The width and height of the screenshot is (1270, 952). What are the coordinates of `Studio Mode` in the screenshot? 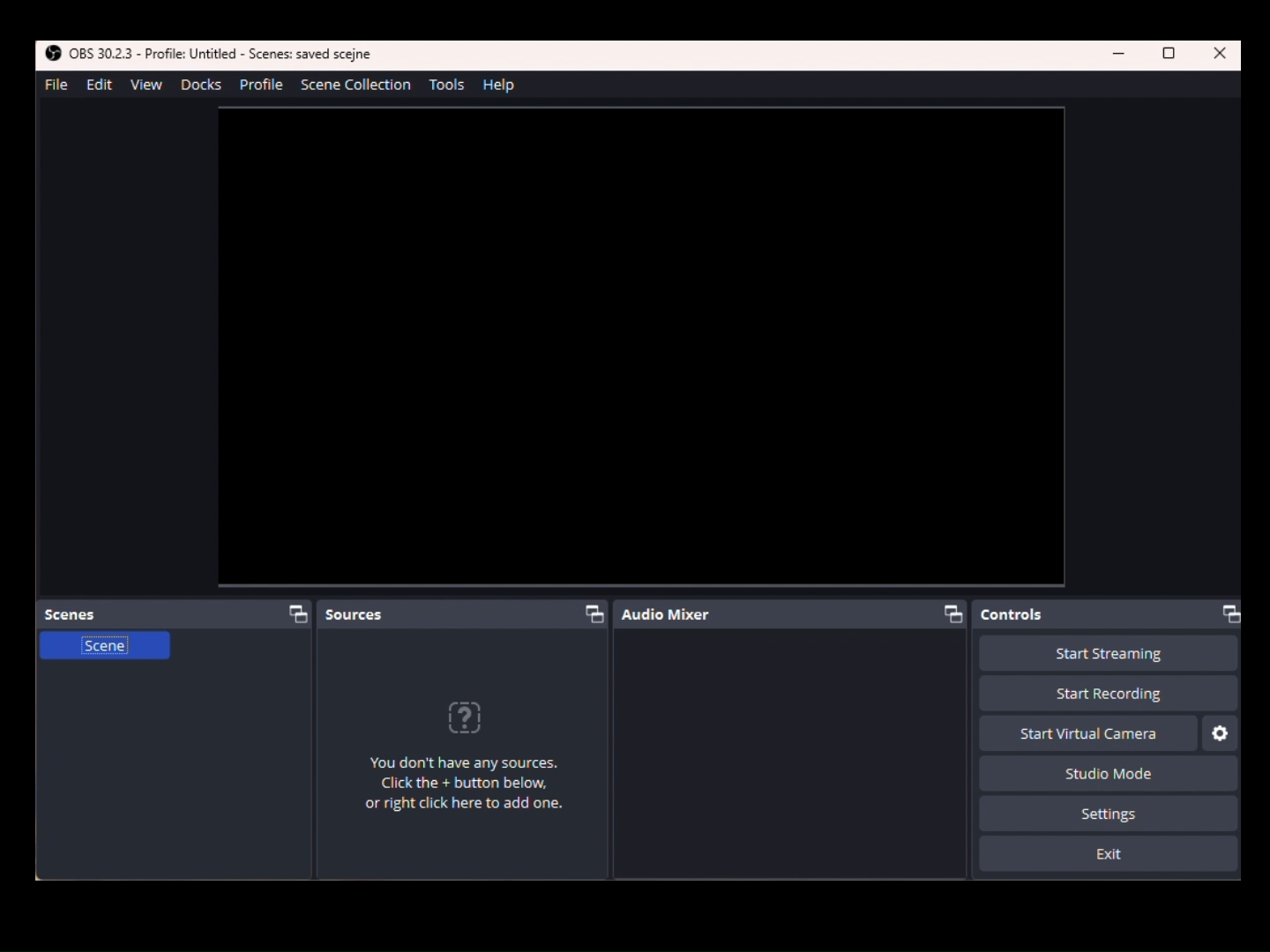 It's located at (1102, 772).